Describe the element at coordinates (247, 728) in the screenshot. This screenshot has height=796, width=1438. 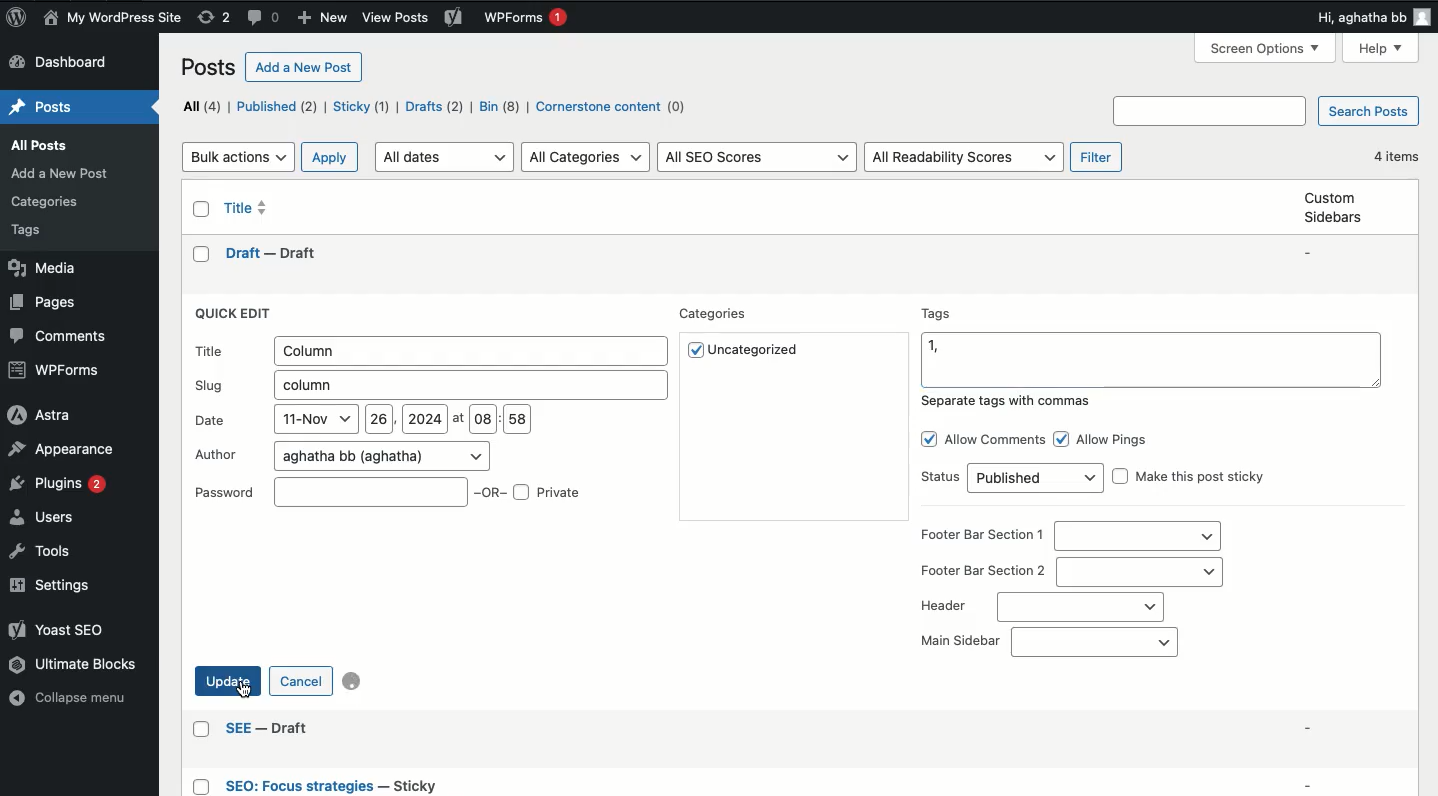
I see `` at that location.